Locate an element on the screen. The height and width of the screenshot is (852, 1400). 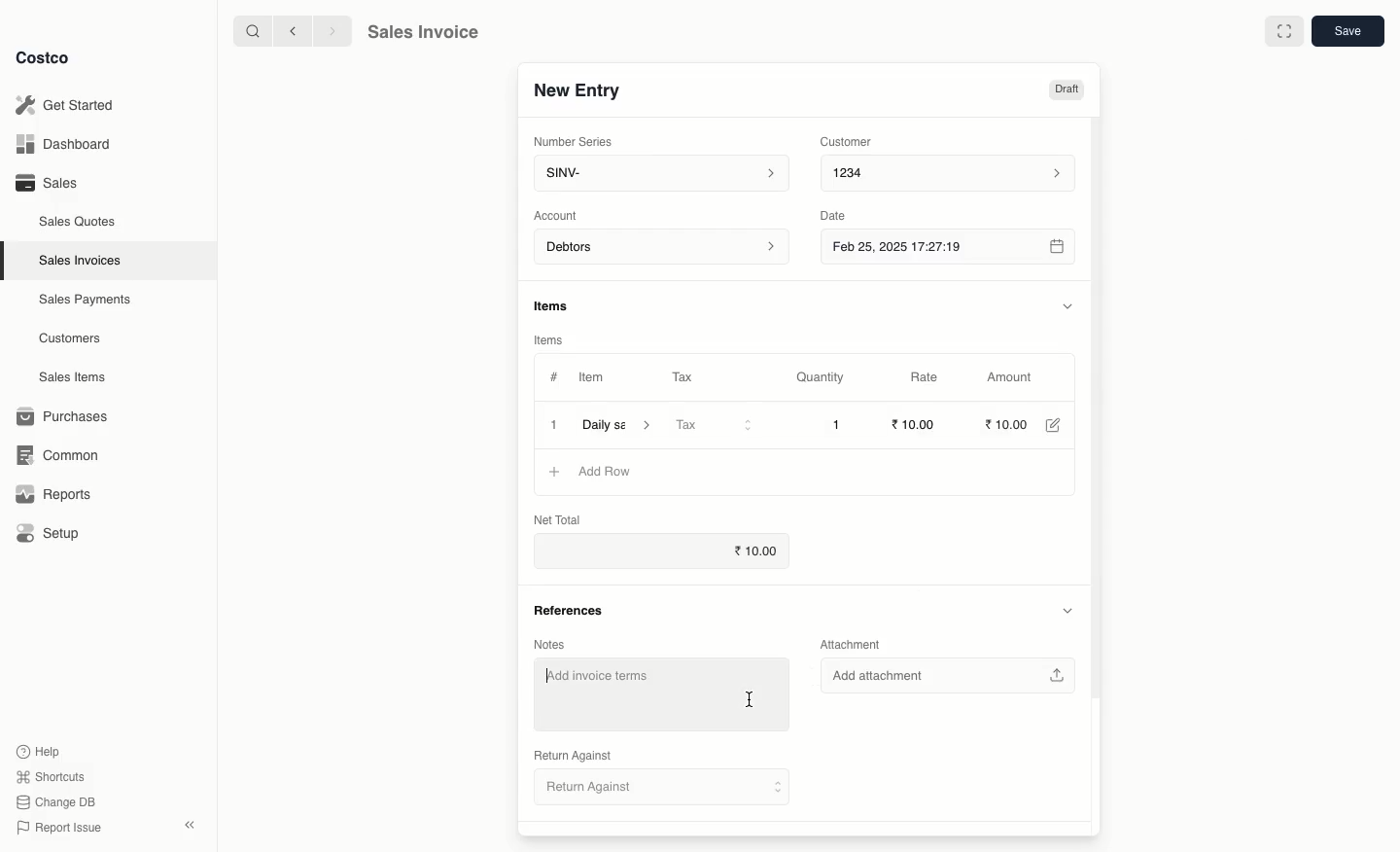
Search is located at coordinates (248, 32).